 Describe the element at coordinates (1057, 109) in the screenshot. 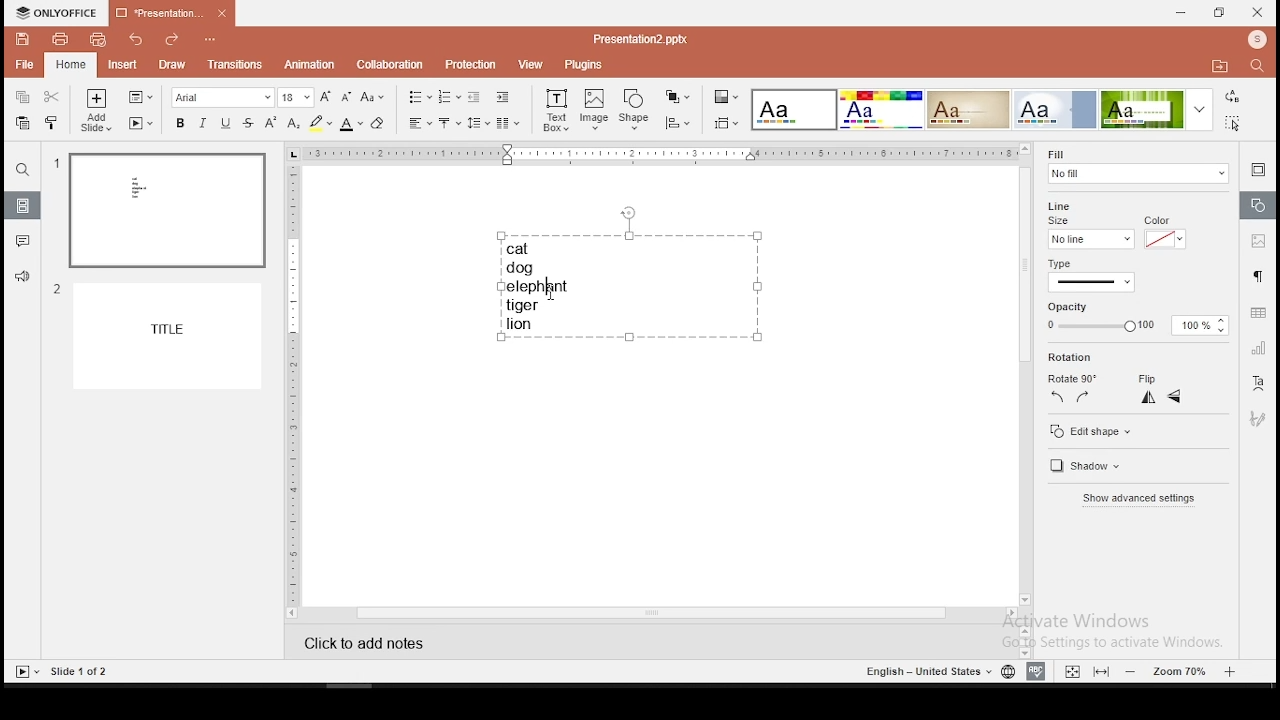

I see `theme ` at that location.